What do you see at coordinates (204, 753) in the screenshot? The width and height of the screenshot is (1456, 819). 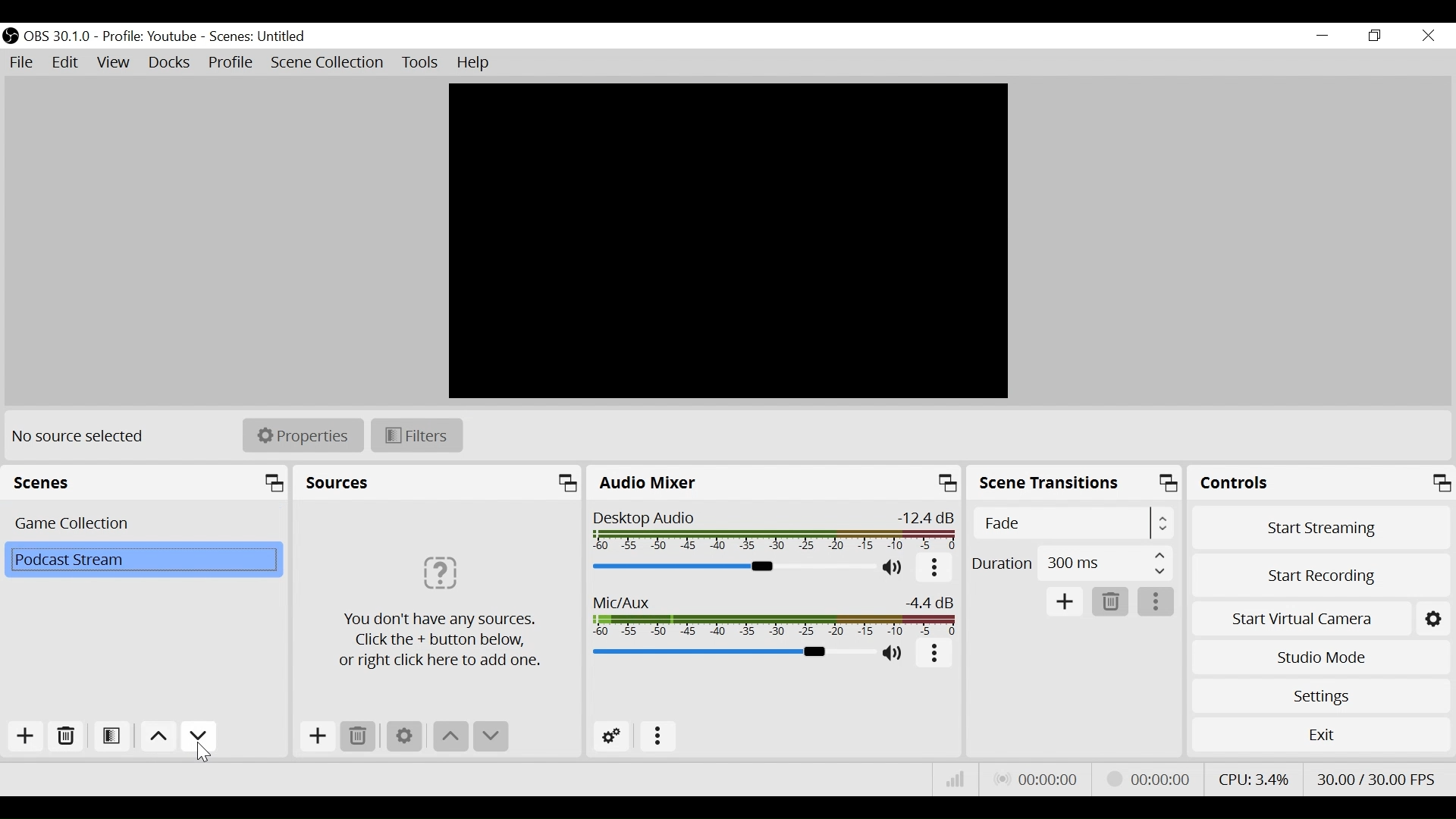 I see `Cursor` at bounding box center [204, 753].